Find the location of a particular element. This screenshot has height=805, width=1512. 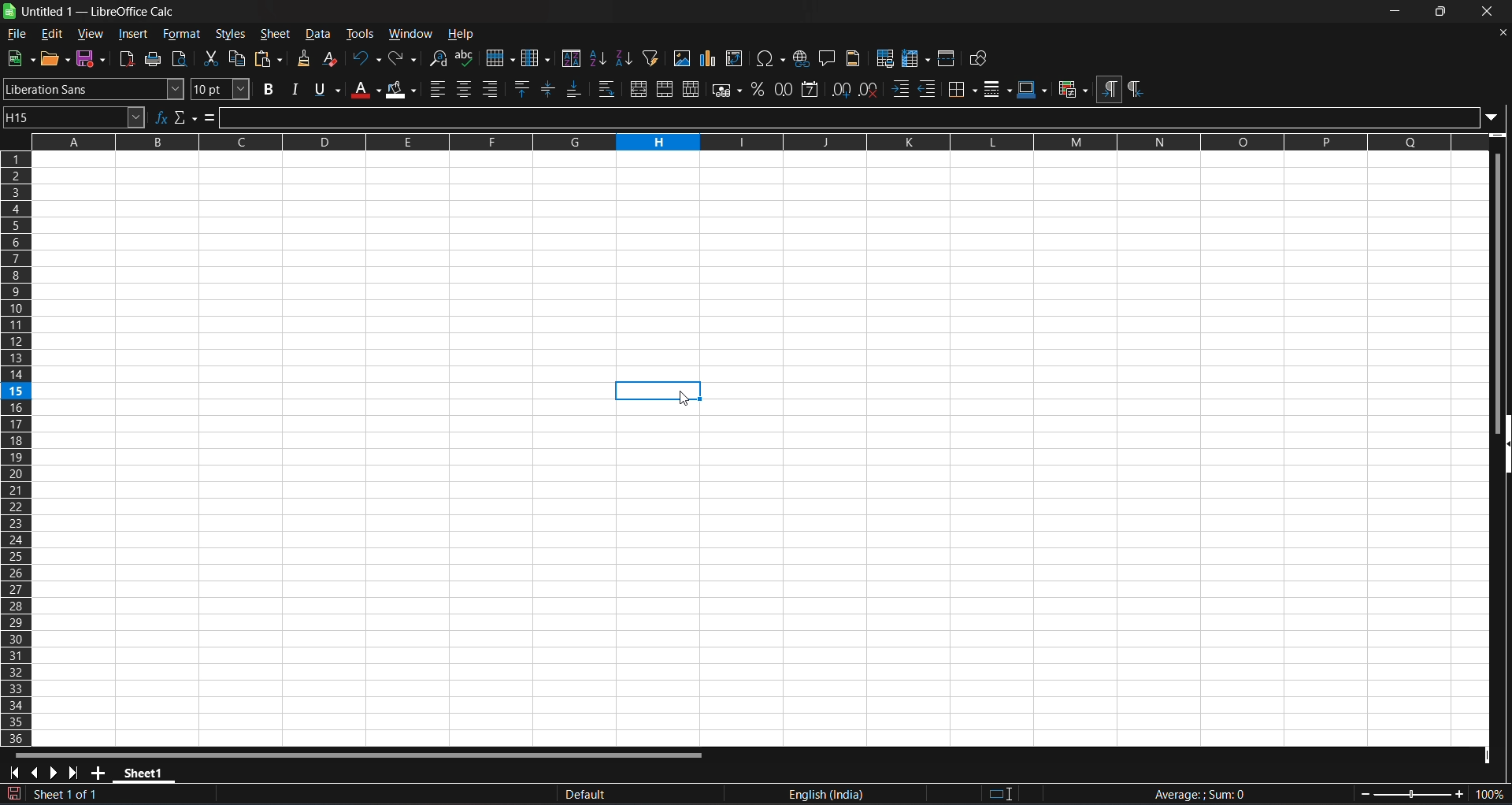

conditional is located at coordinates (1073, 88).